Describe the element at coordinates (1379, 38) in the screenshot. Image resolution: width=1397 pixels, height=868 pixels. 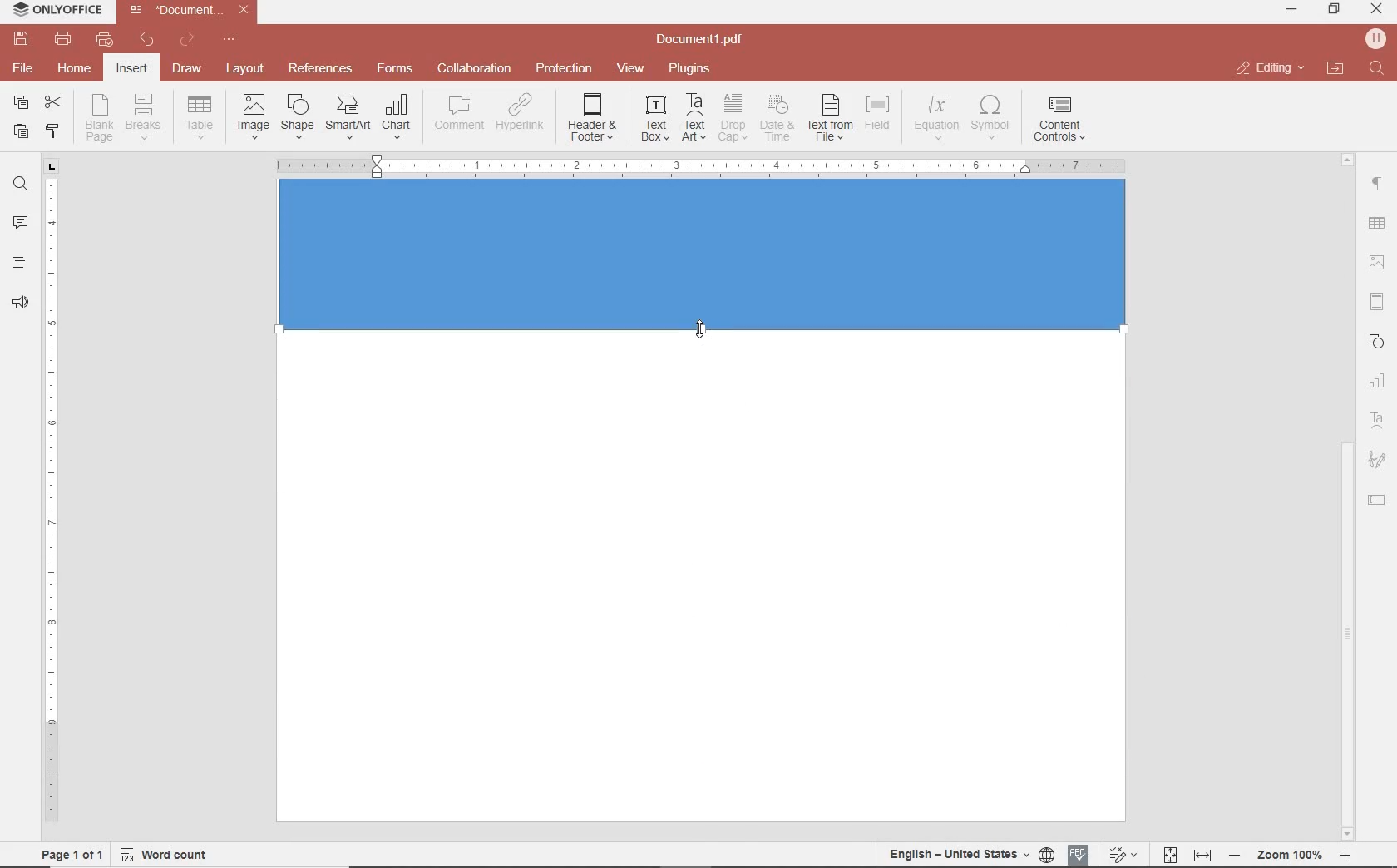
I see `hp` at that location.